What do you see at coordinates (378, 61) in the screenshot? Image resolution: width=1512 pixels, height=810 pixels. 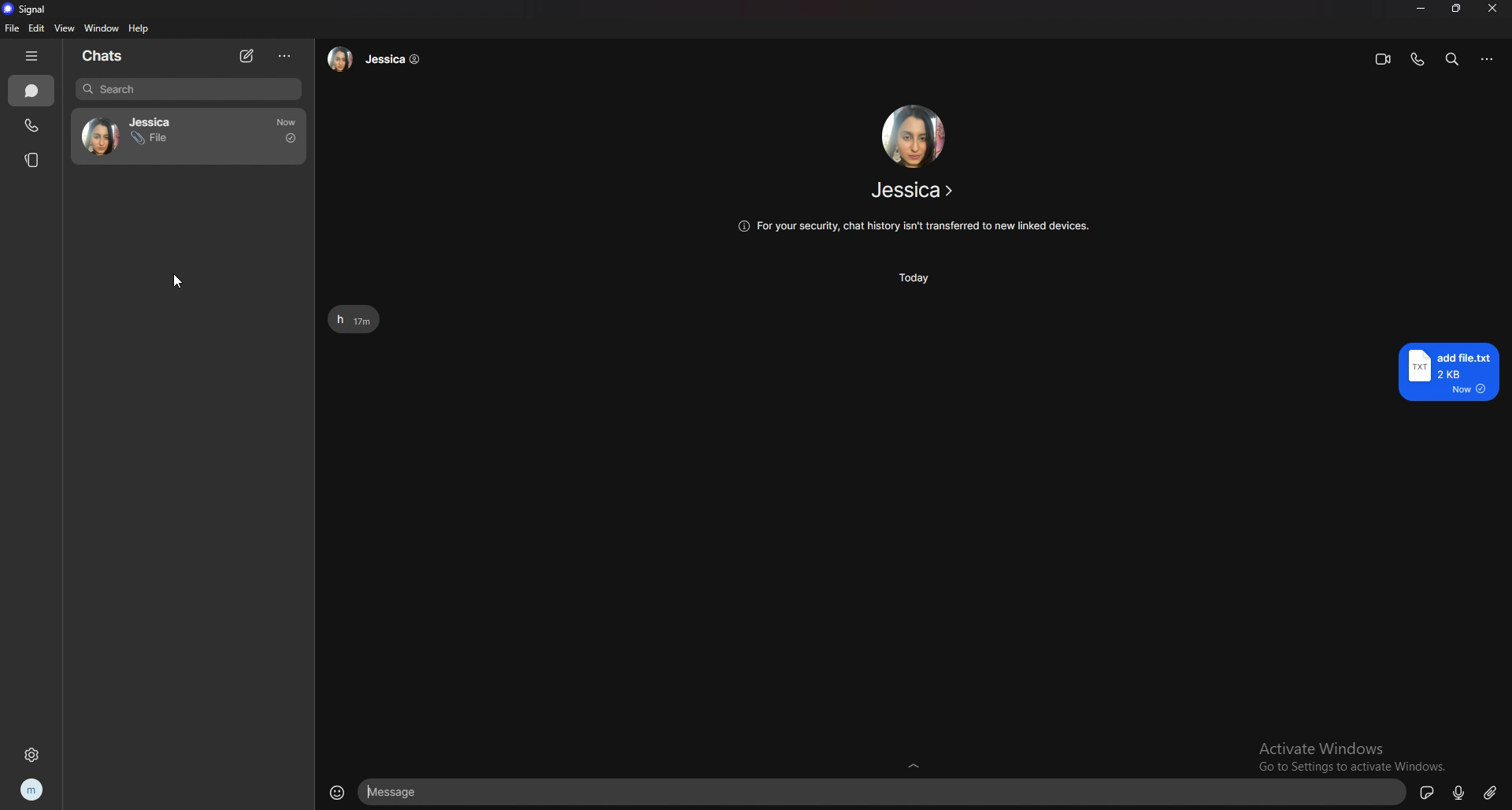 I see `Jessica ©` at bounding box center [378, 61].